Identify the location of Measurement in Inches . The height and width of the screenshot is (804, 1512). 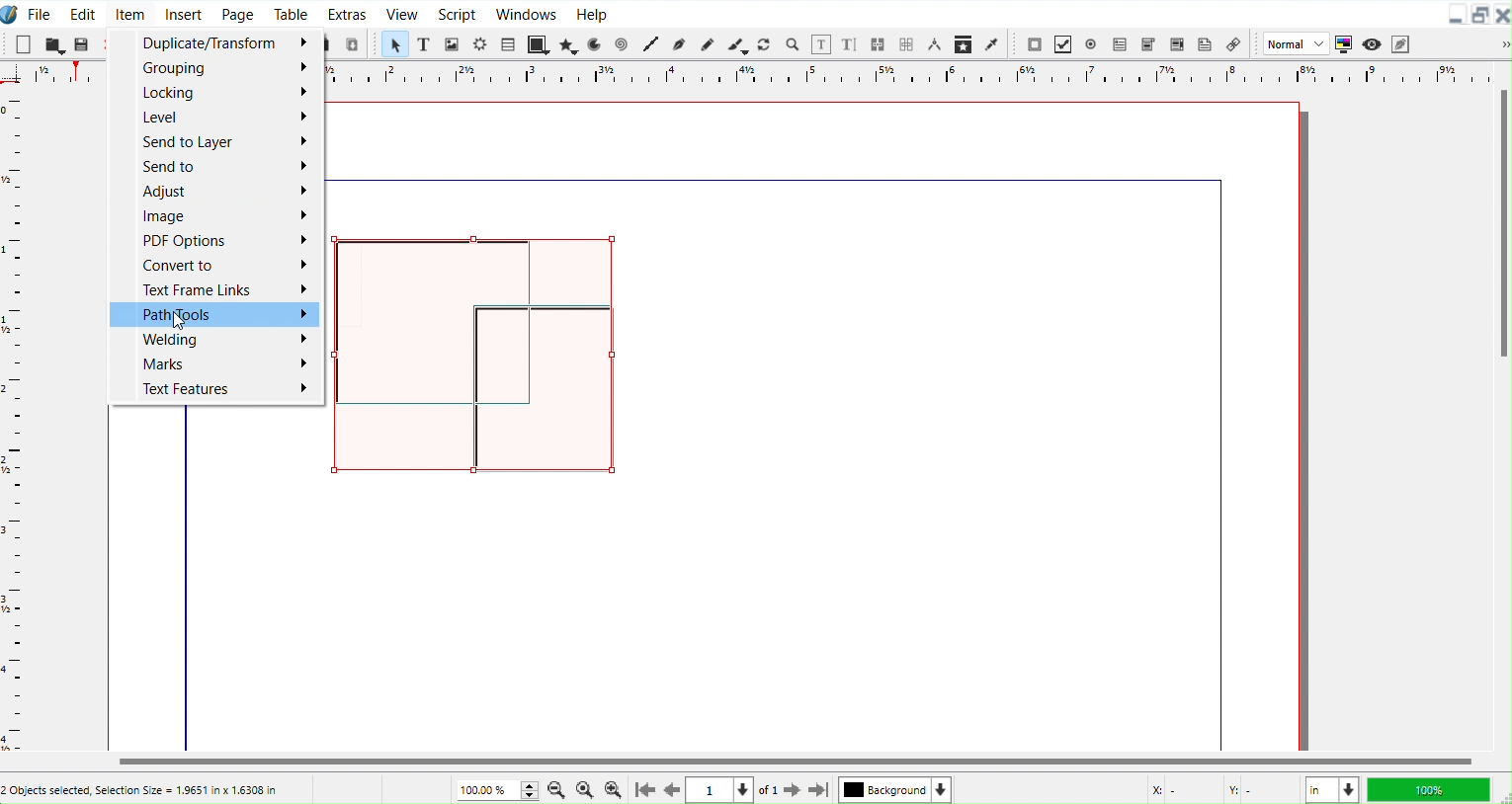
(1332, 789).